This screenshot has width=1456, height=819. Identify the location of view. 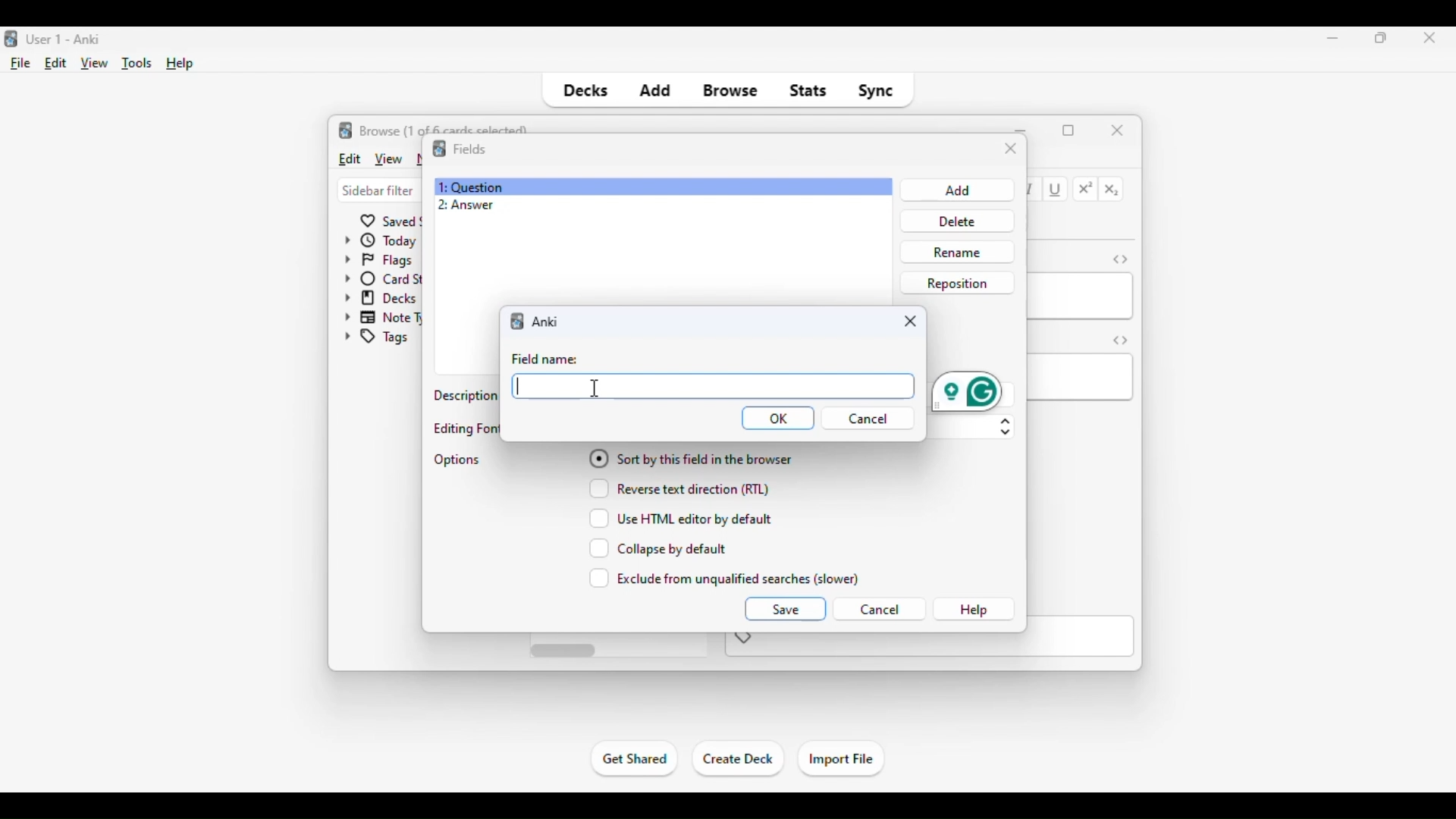
(388, 158).